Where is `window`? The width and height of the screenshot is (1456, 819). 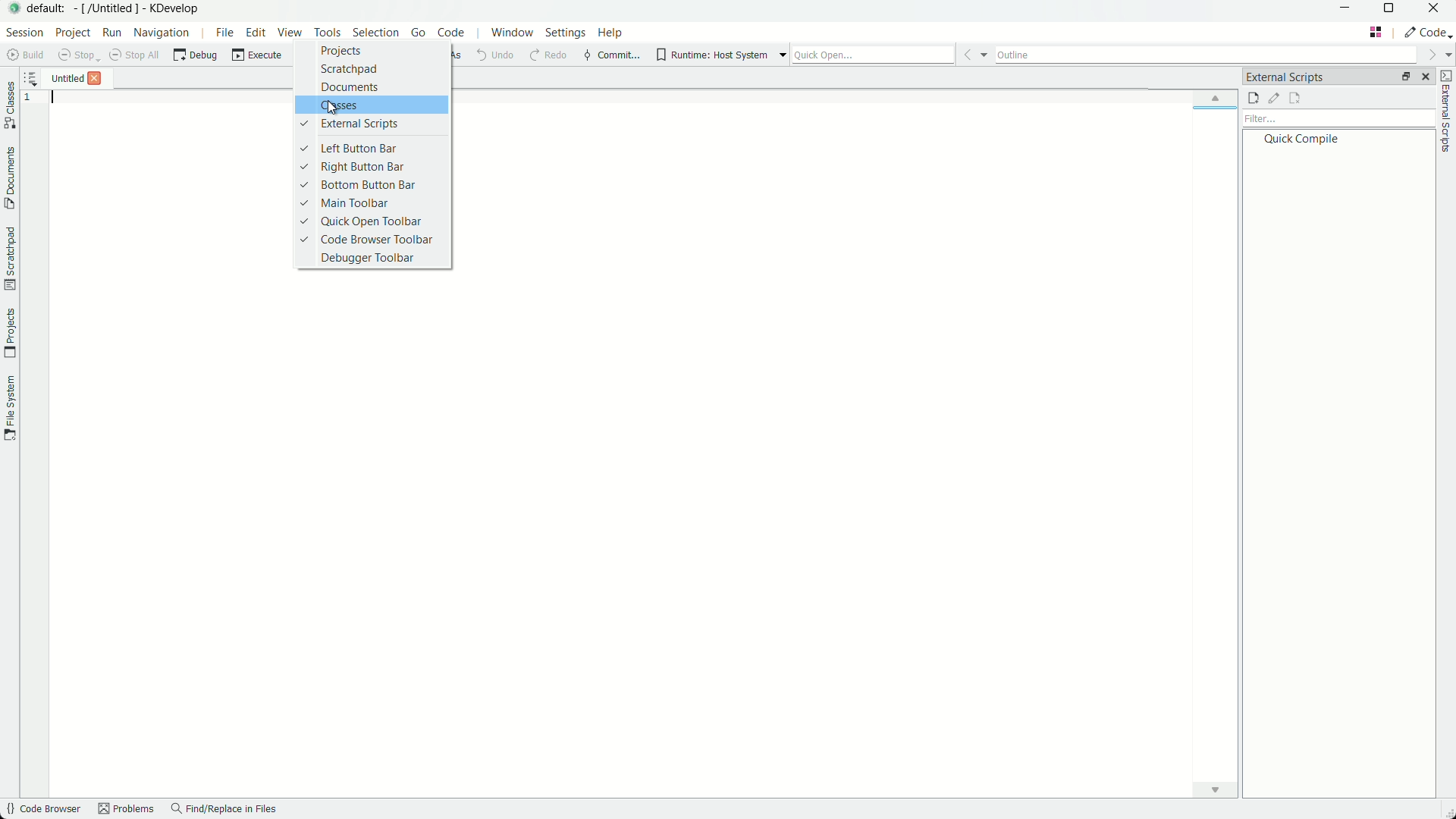
window is located at coordinates (515, 35).